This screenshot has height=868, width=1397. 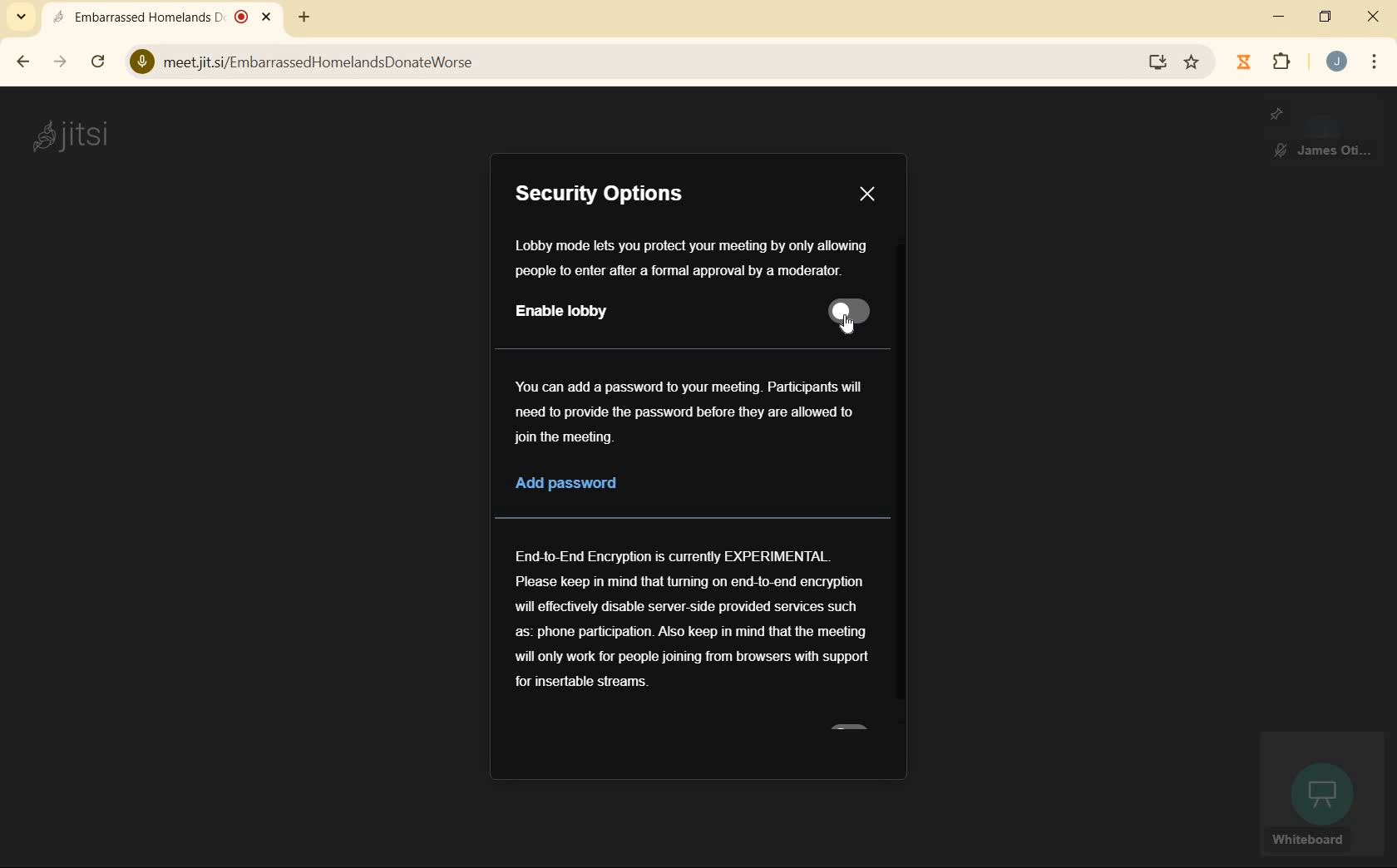 I want to click on toggle, so click(x=848, y=311).